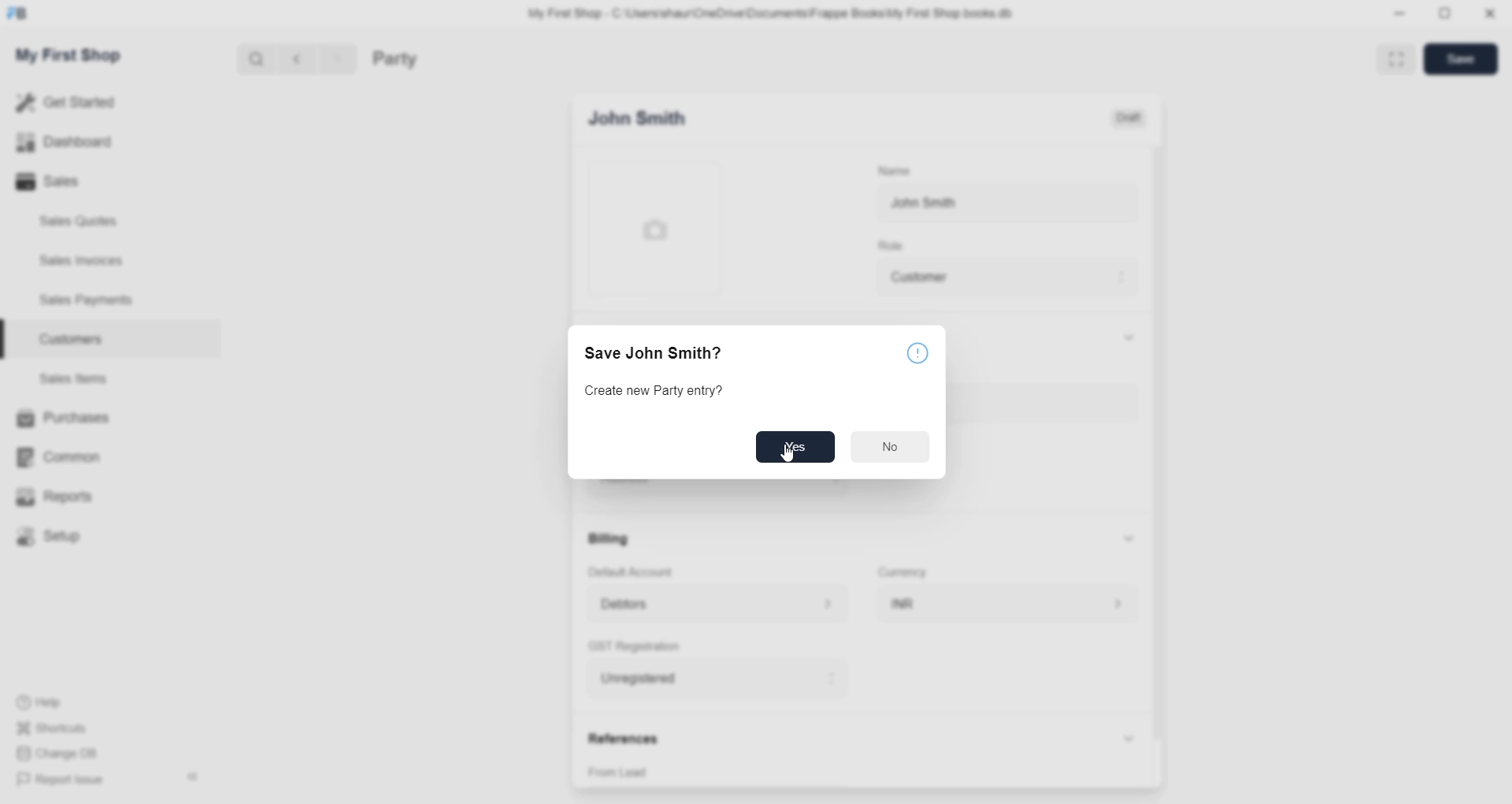 Image resolution: width=1512 pixels, height=804 pixels. I want to click on Name, so click(888, 169).